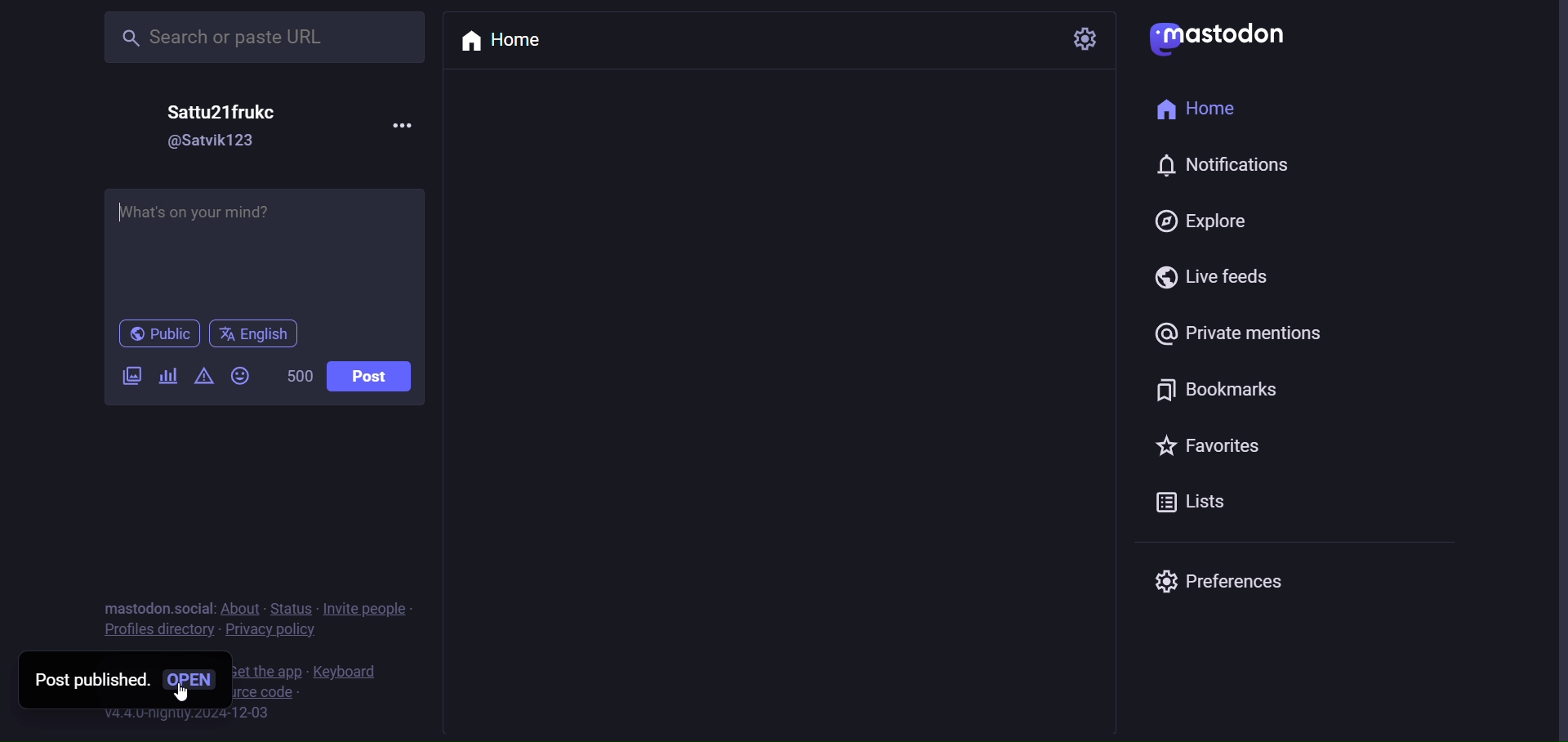 This screenshot has height=742, width=1568. Describe the element at coordinates (154, 632) in the screenshot. I see `Profile directory` at that location.